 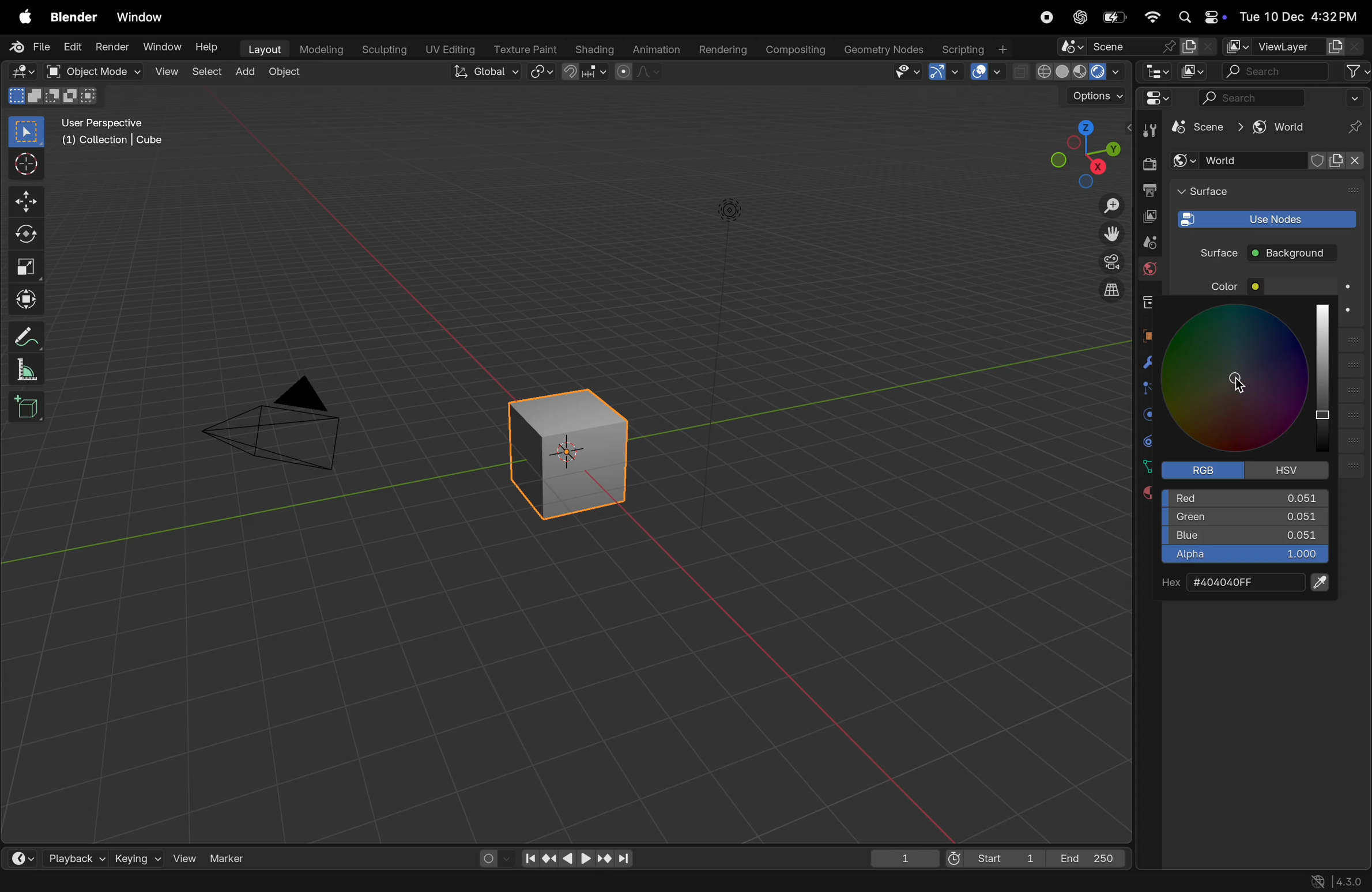 I want to click on out put, so click(x=1148, y=216).